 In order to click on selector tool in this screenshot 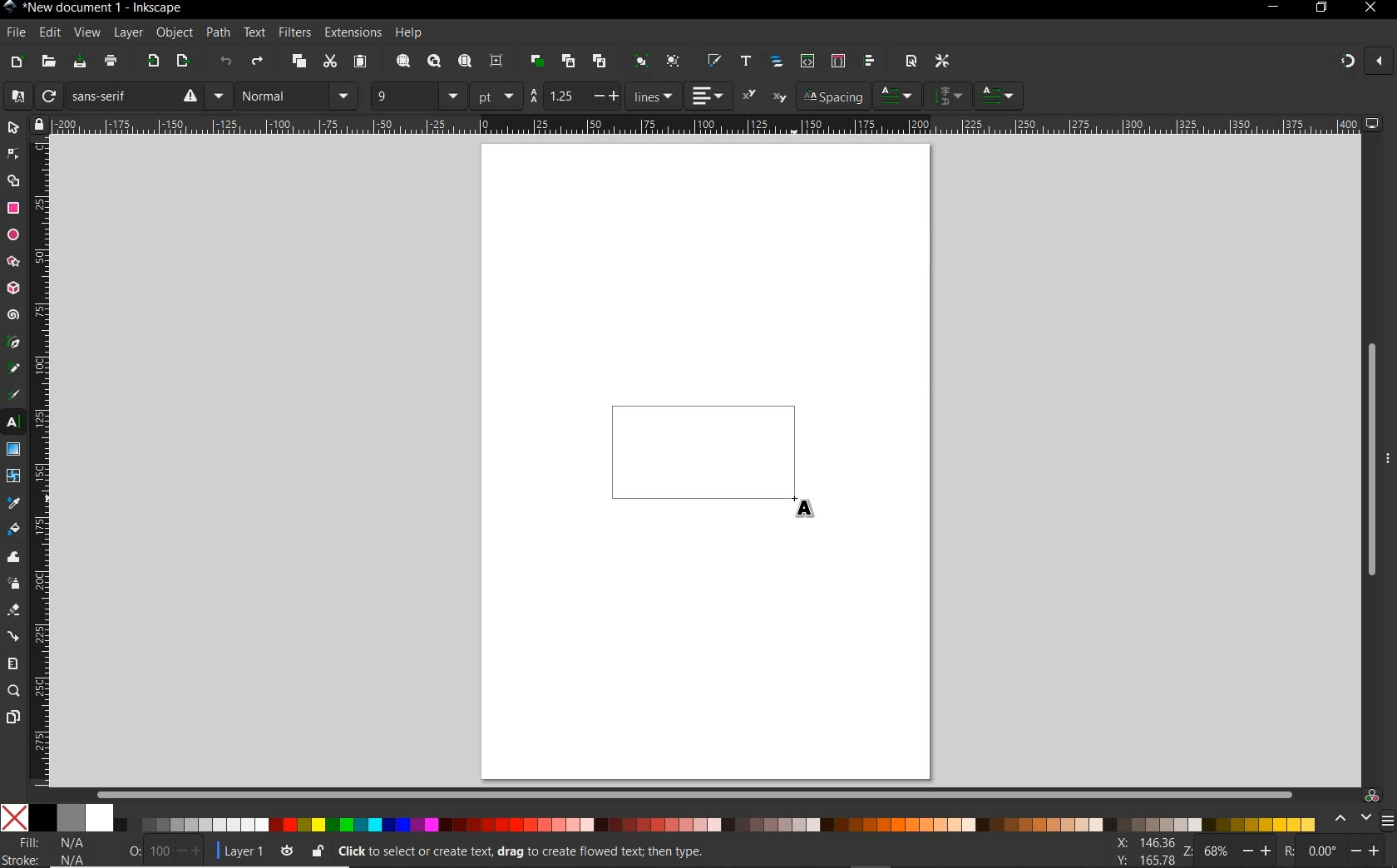, I will do `click(13, 127)`.